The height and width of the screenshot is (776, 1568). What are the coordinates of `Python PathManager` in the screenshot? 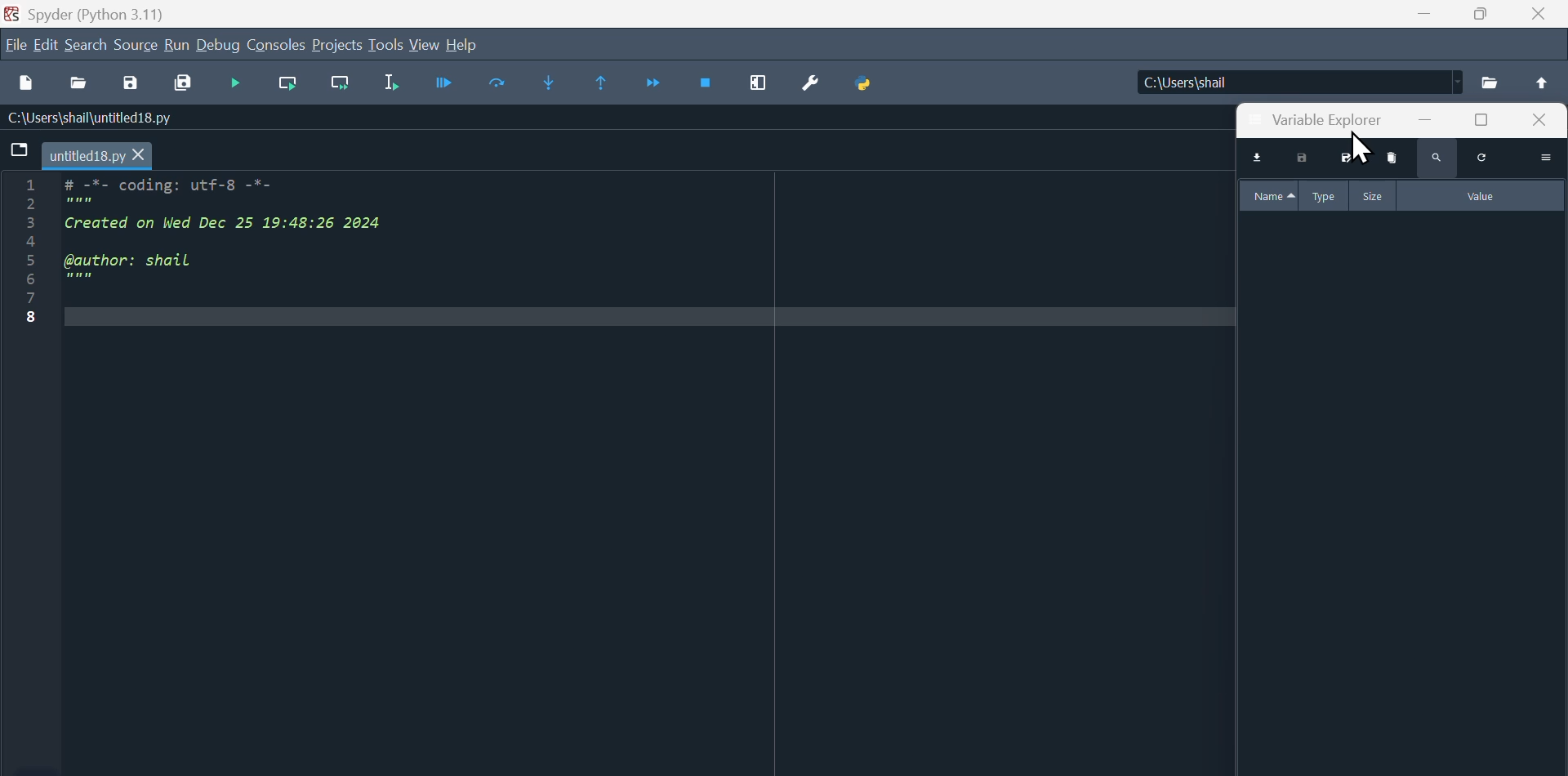 It's located at (871, 87).